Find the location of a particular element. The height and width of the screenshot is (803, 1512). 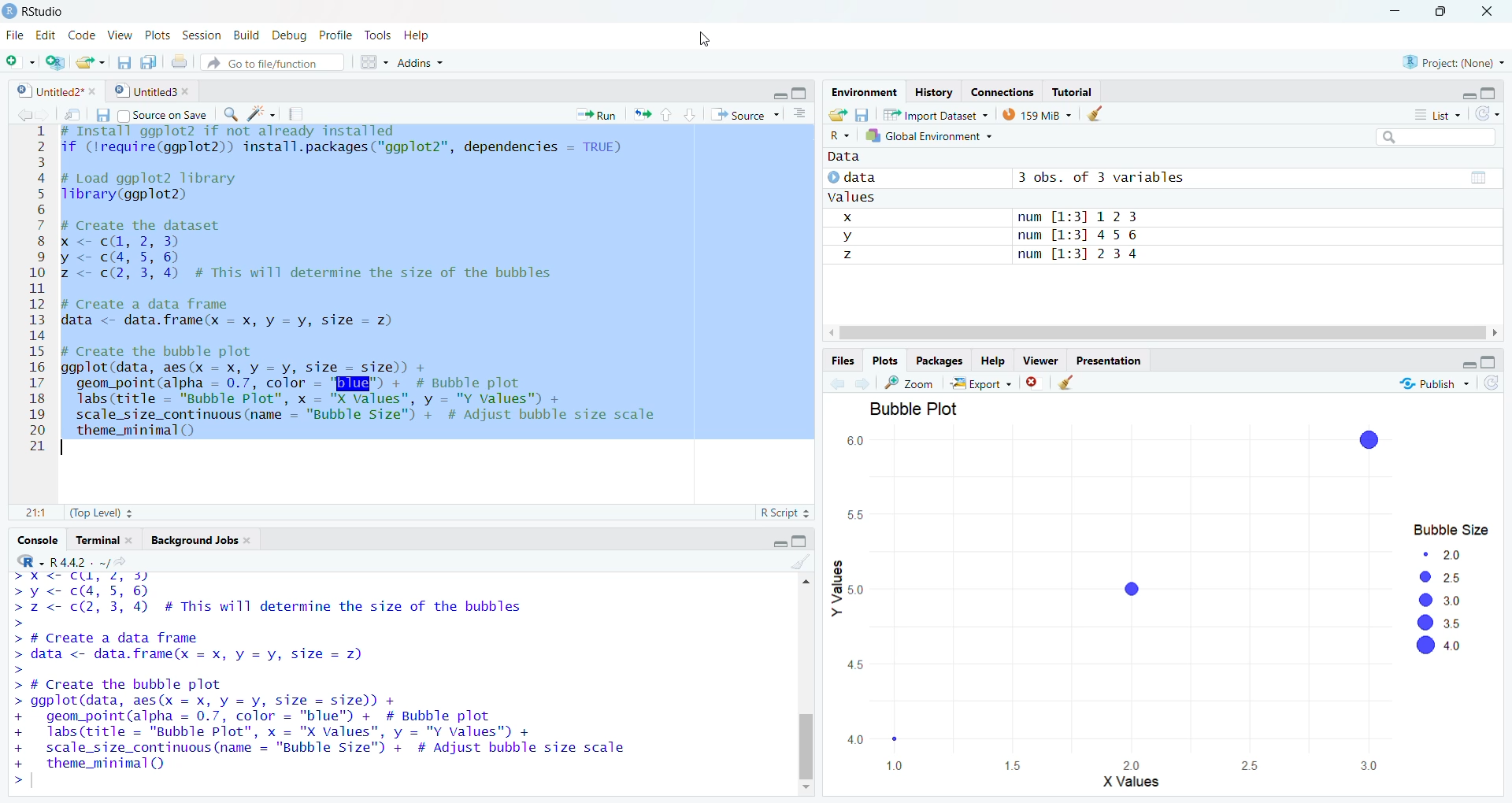

Search is located at coordinates (1420, 136).